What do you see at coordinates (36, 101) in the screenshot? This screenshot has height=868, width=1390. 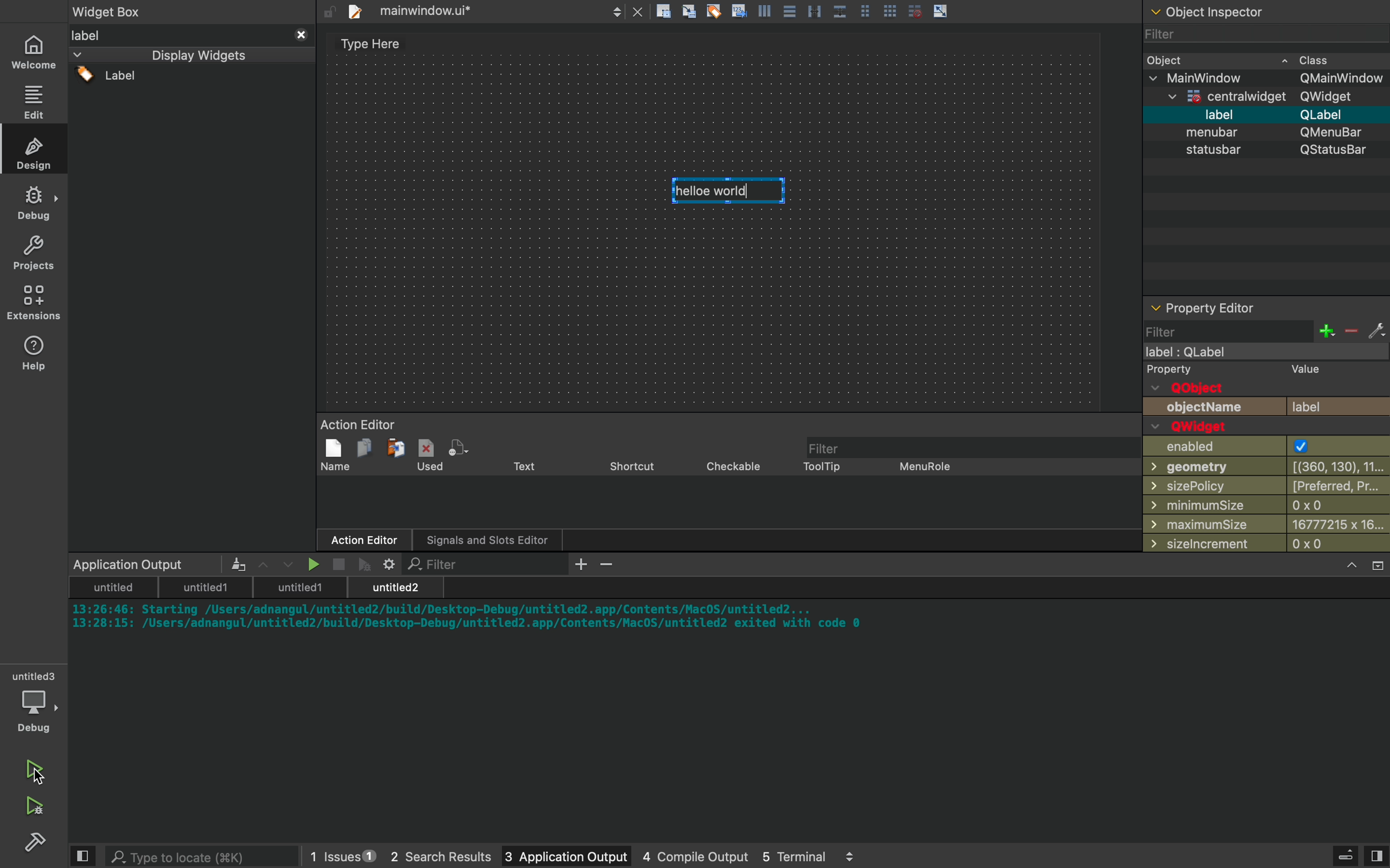 I see `edit` at bounding box center [36, 101].